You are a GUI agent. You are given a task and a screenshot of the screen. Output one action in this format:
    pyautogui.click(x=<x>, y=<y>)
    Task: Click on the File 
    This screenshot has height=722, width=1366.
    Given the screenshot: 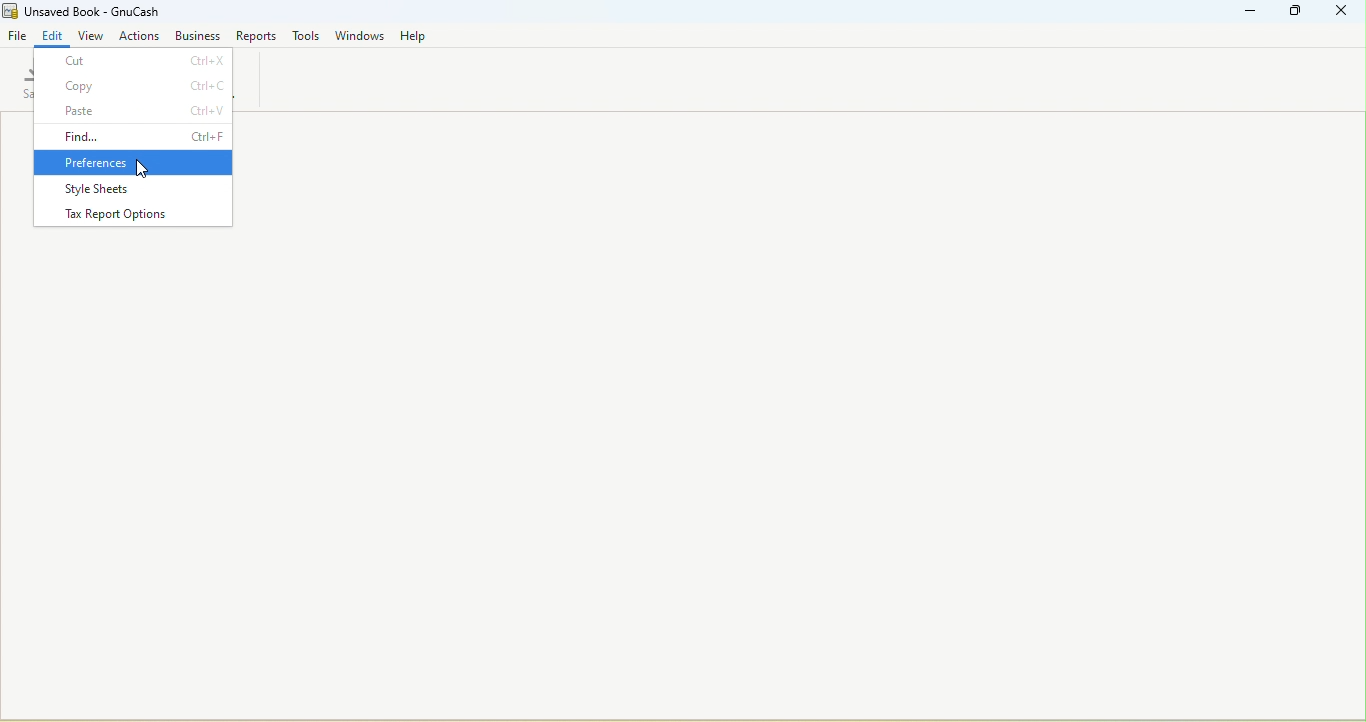 What is the action you would take?
    pyautogui.click(x=17, y=36)
    